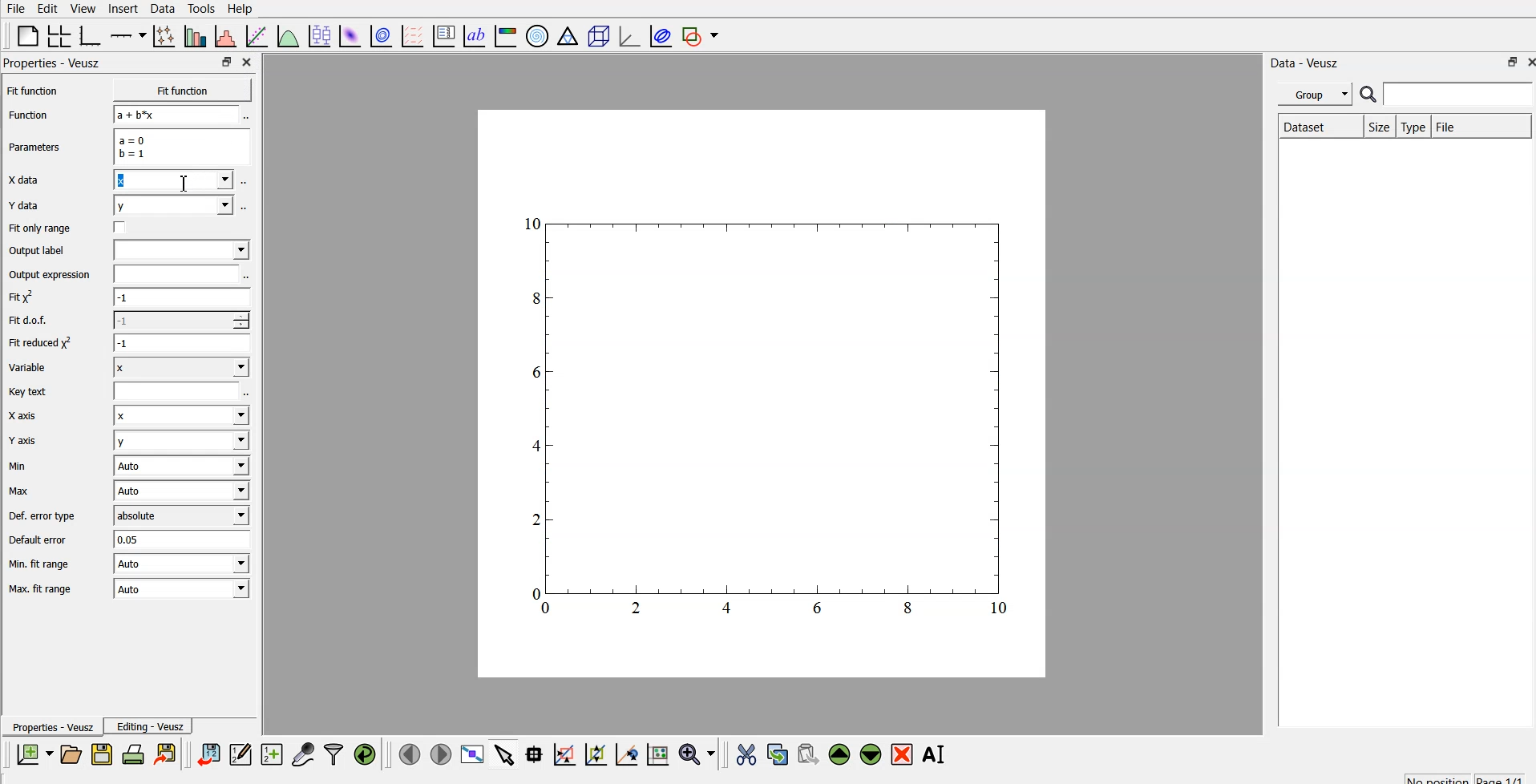  I want to click on move up the selected widget, so click(839, 754).